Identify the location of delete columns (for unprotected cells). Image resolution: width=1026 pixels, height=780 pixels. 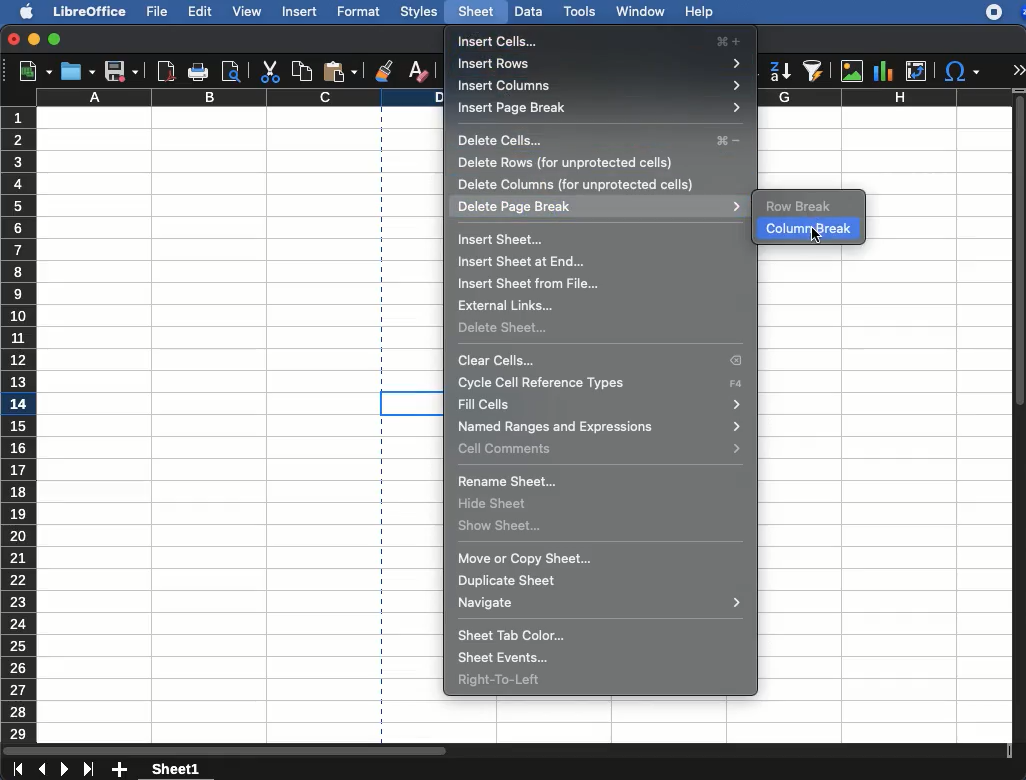
(575, 184).